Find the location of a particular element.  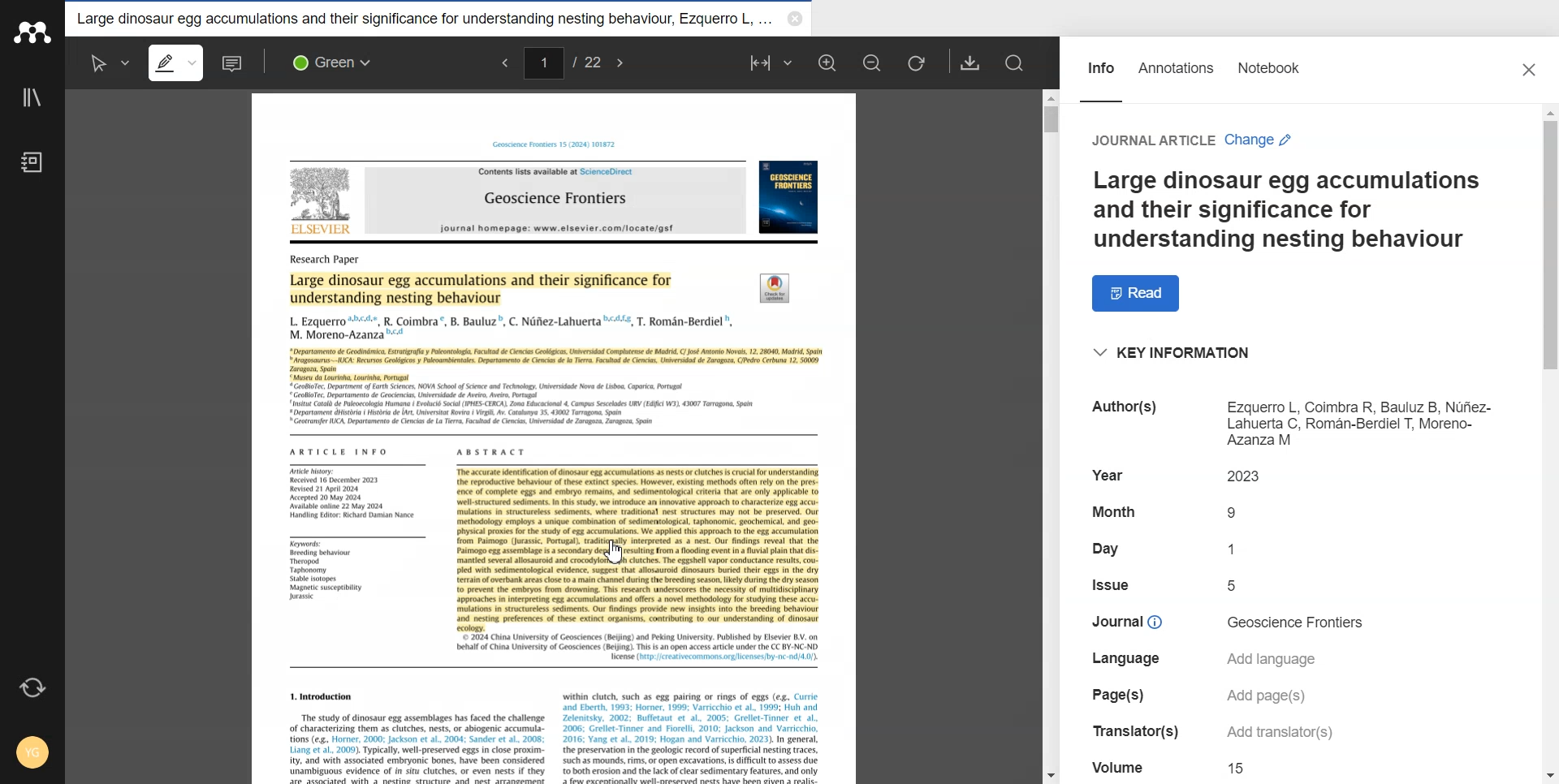

text is located at coordinates (1125, 660).